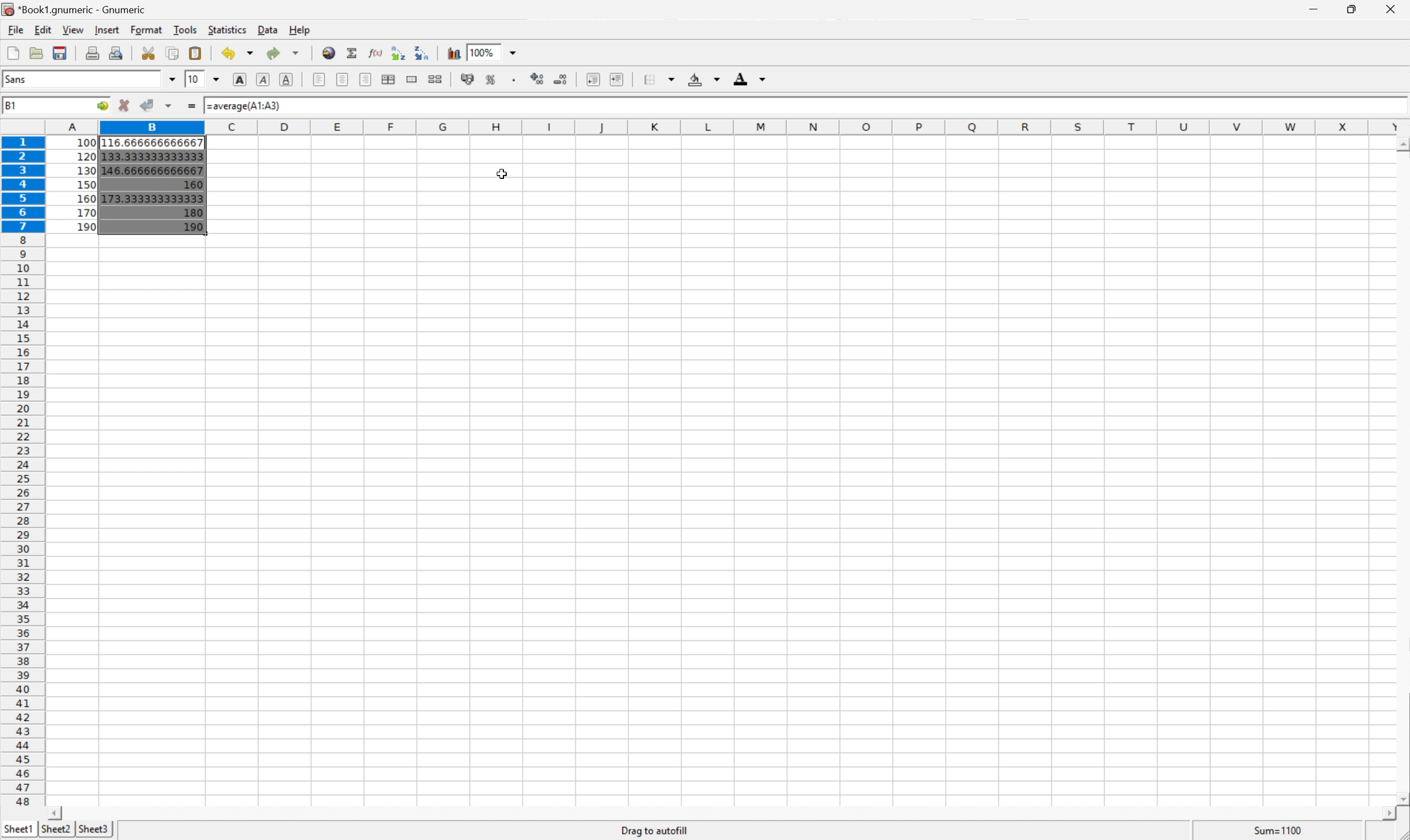  Describe the element at coordinates (241, 82) in the screenshot. I see `Bold` at that location.